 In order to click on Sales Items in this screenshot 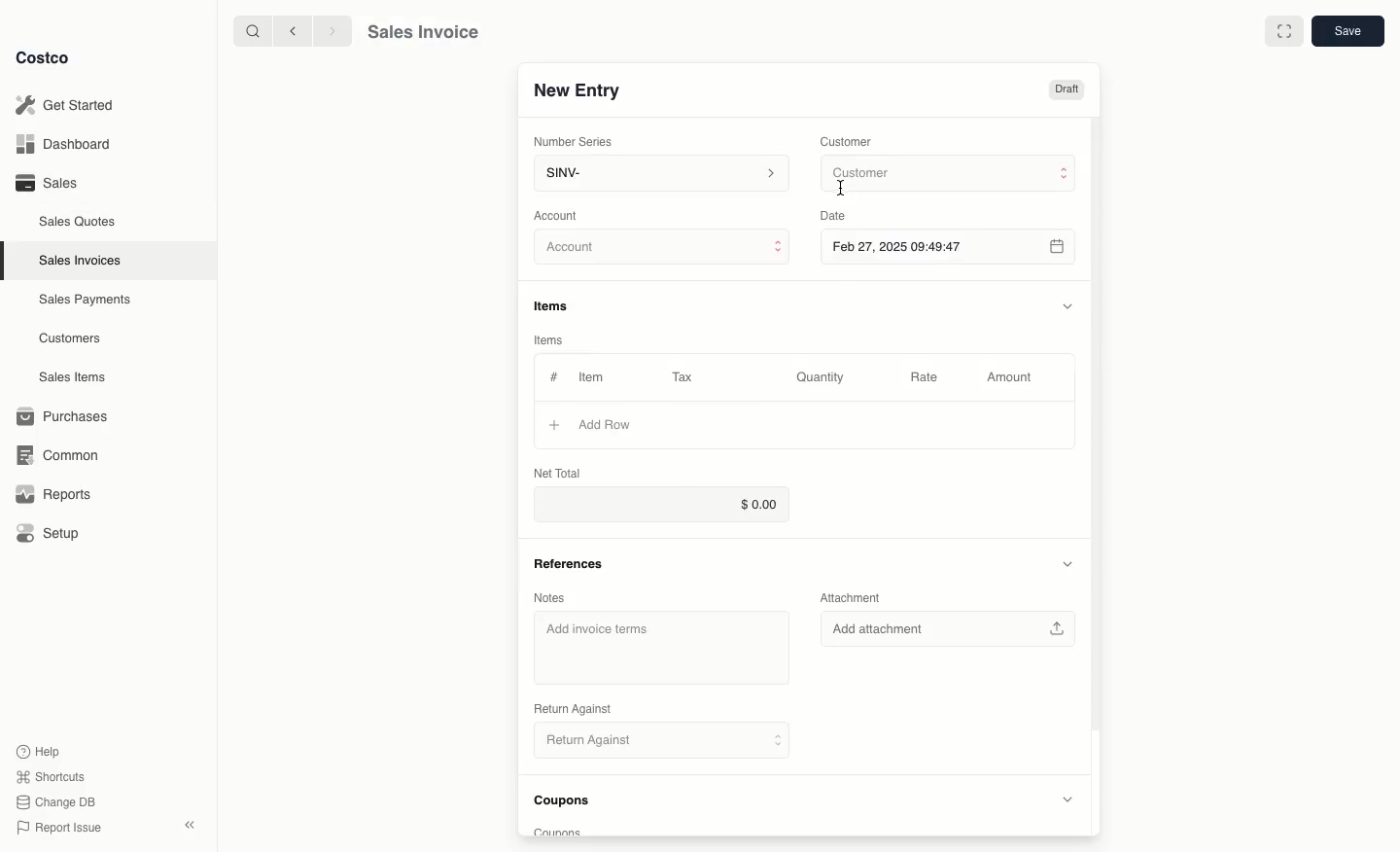, I will do `click(75, 375)`.